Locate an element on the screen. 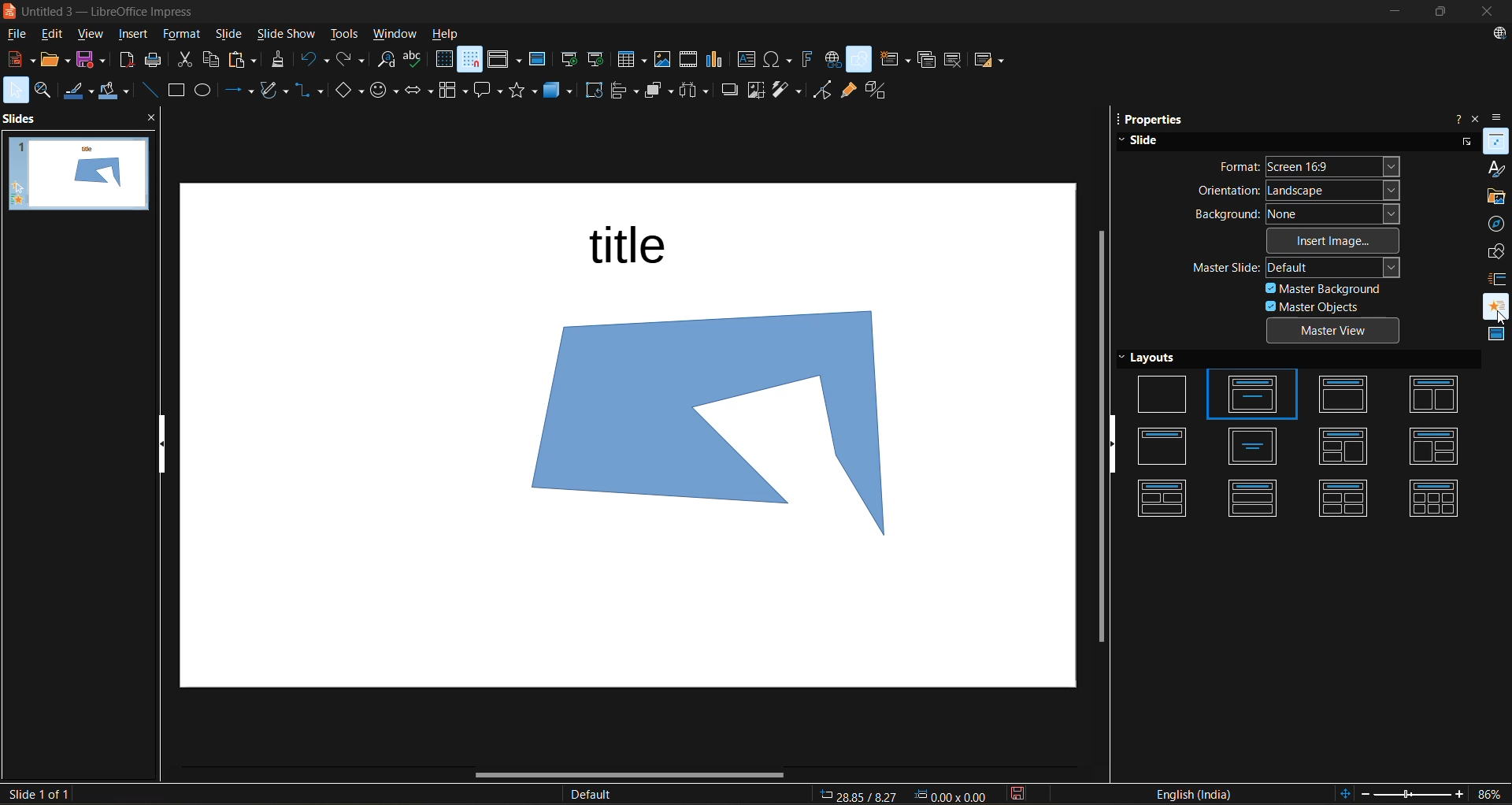  master view is located at coordinates (1332, 330).